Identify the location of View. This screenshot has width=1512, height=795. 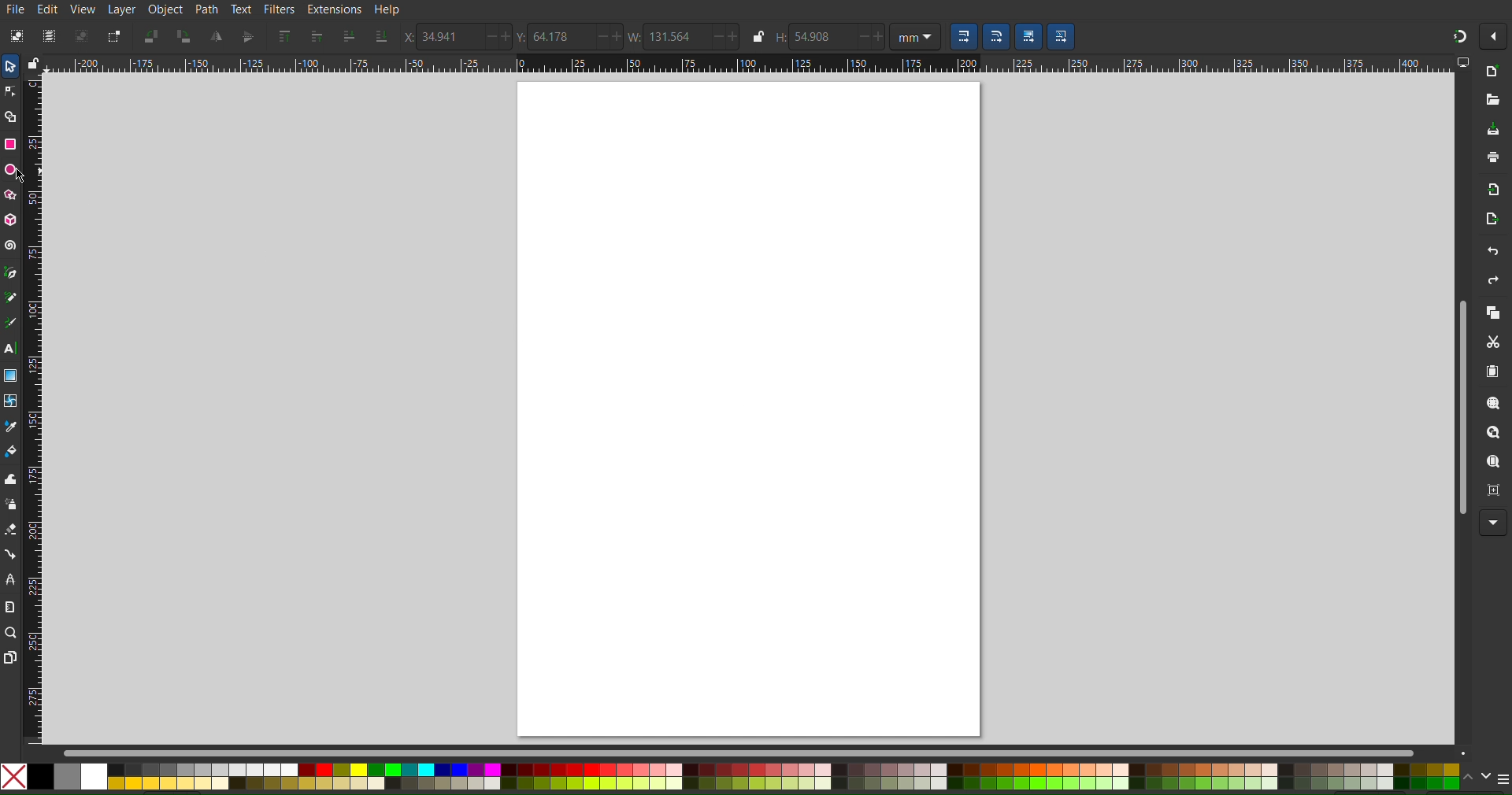
(83, 11).